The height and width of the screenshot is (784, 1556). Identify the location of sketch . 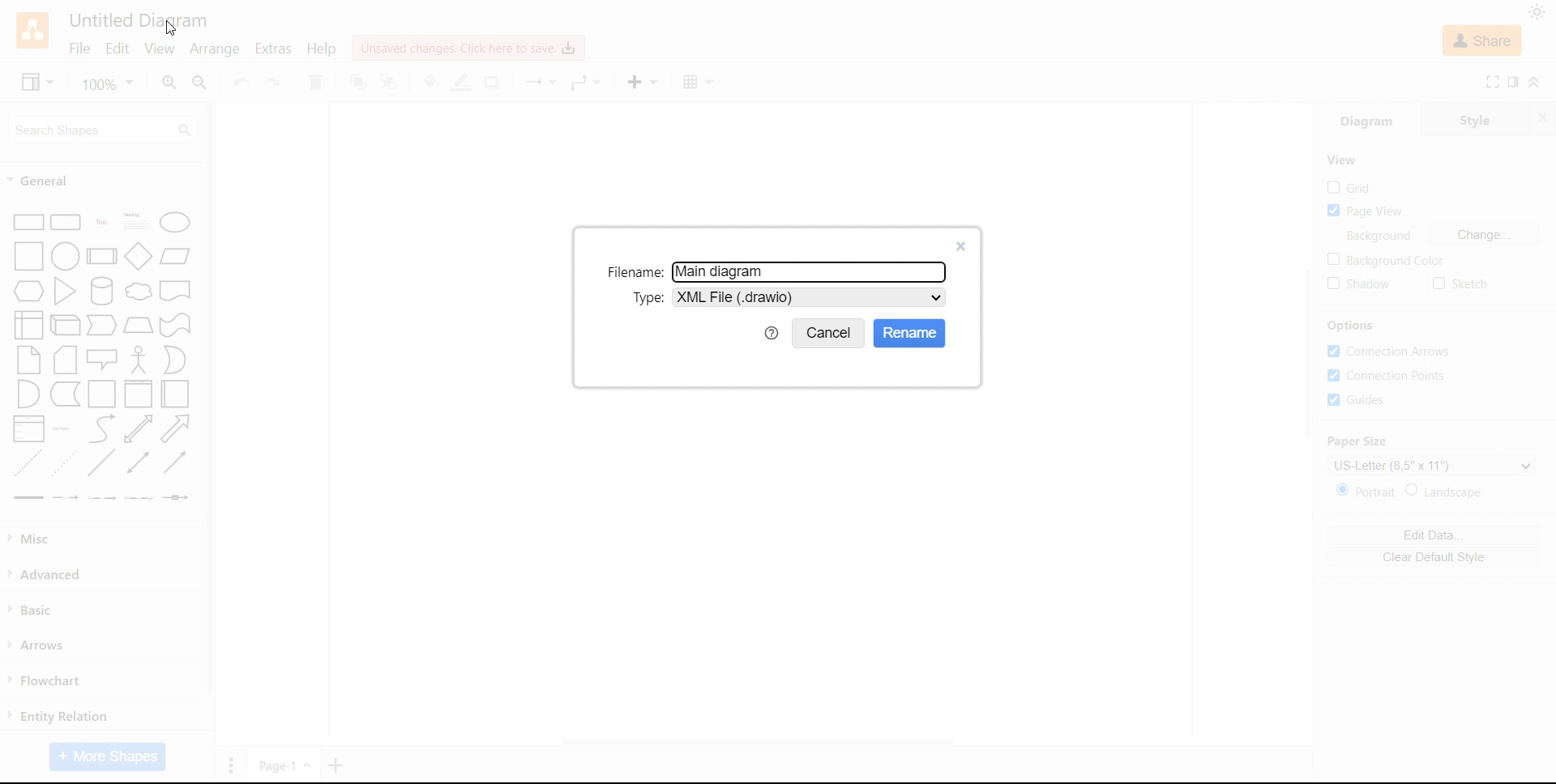
(1460, 284).